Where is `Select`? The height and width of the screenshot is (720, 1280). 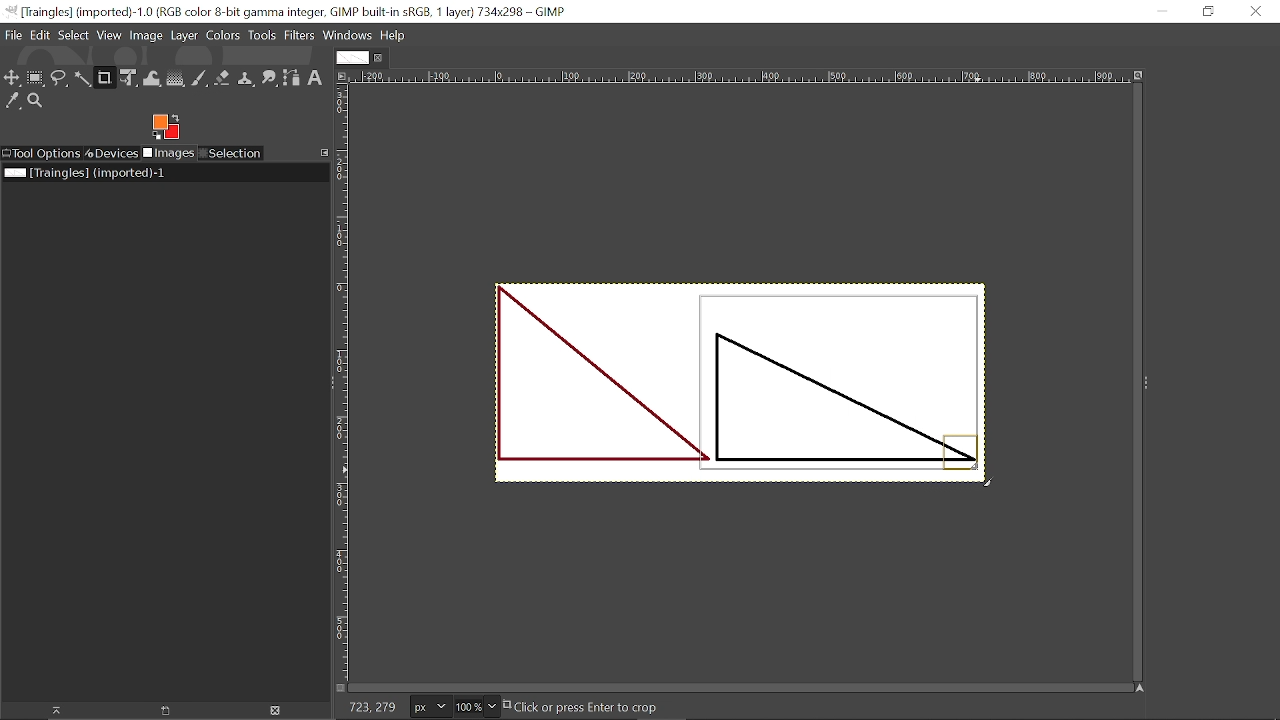 Select is located at coordinates (74, 36).